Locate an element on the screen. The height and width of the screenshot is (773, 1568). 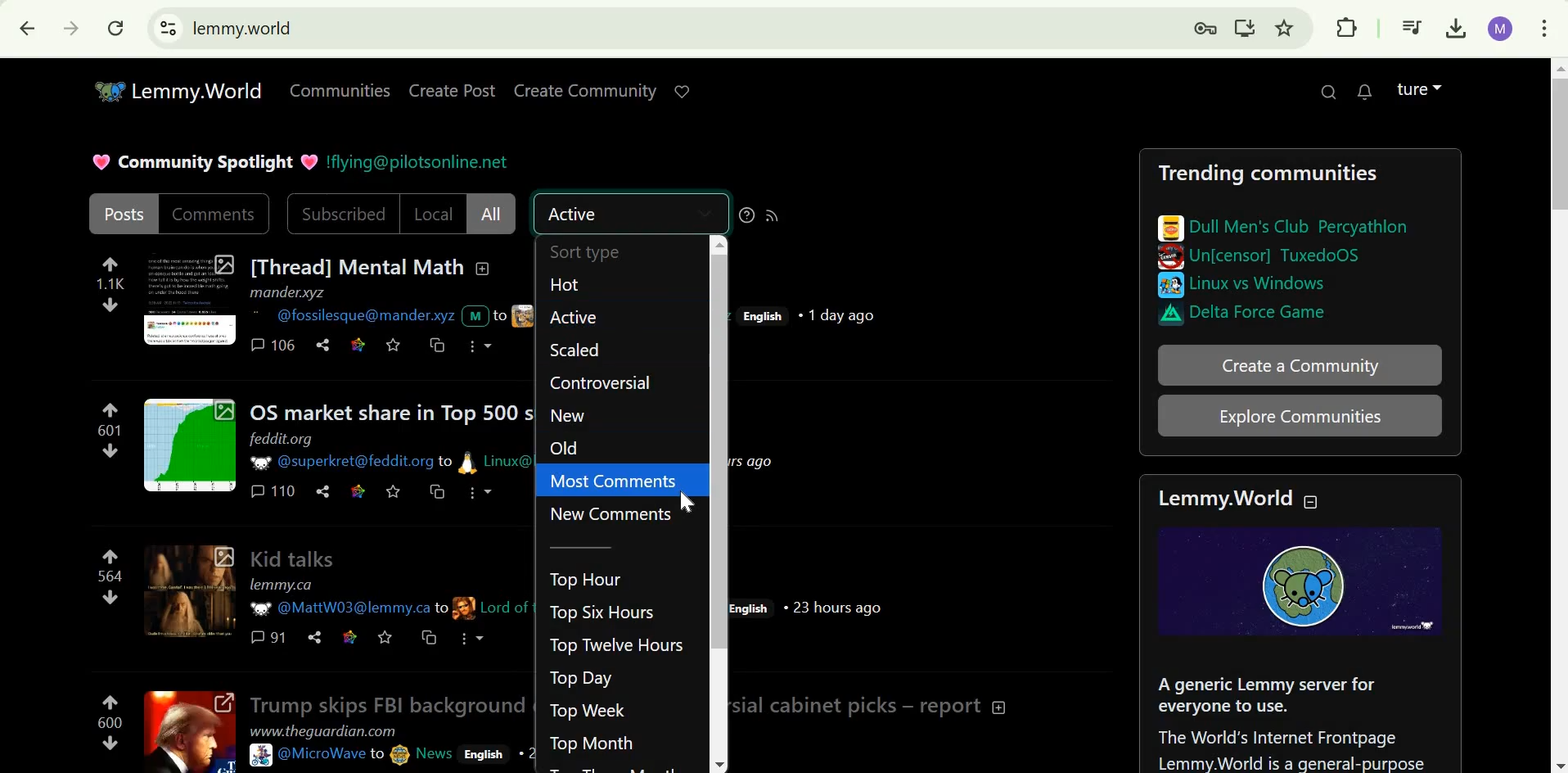
Media controls is located at coordinates (1410, 27).